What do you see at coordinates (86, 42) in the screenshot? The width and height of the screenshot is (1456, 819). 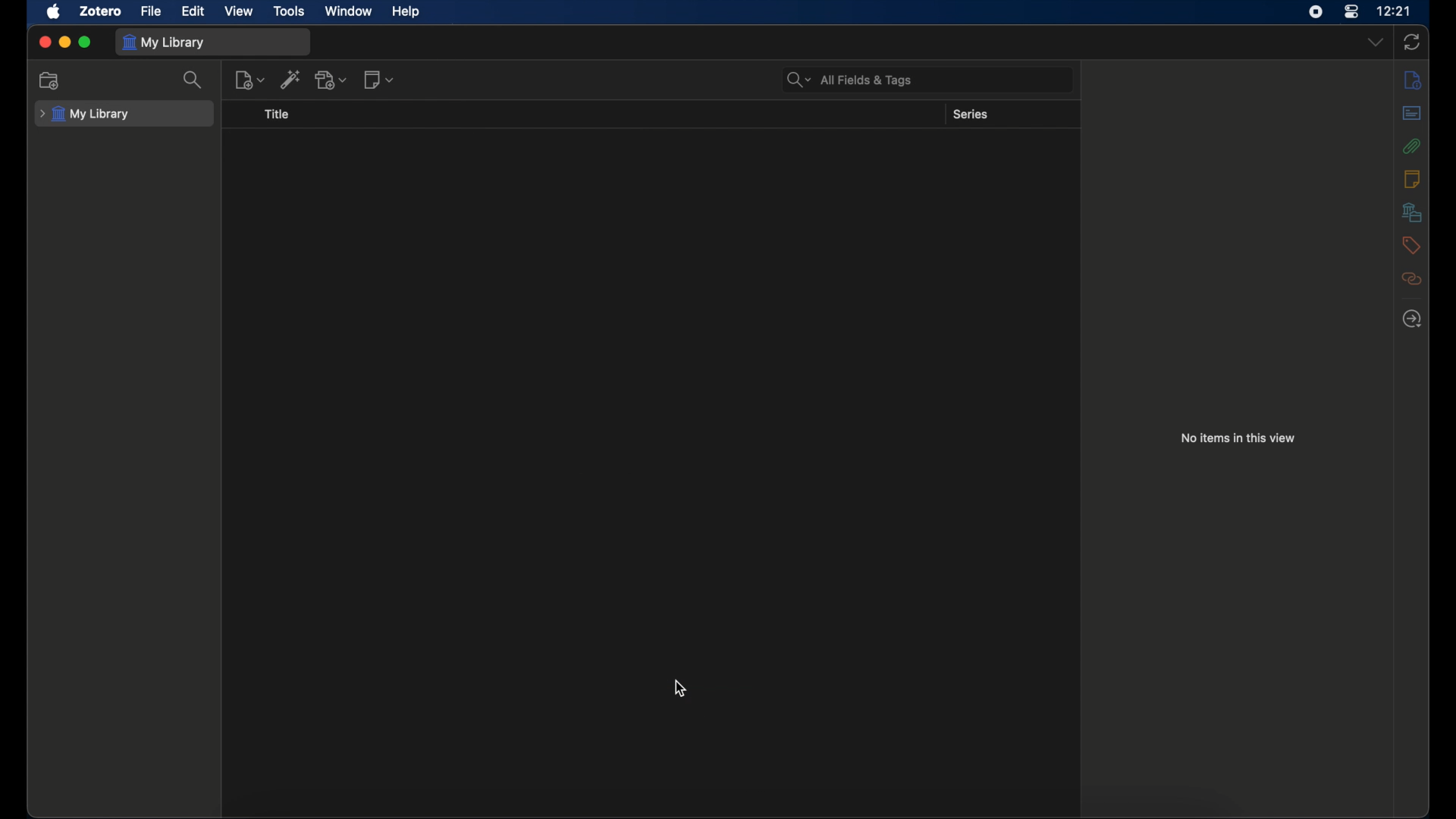 I see `maximize` at bounding box center [86, 42].